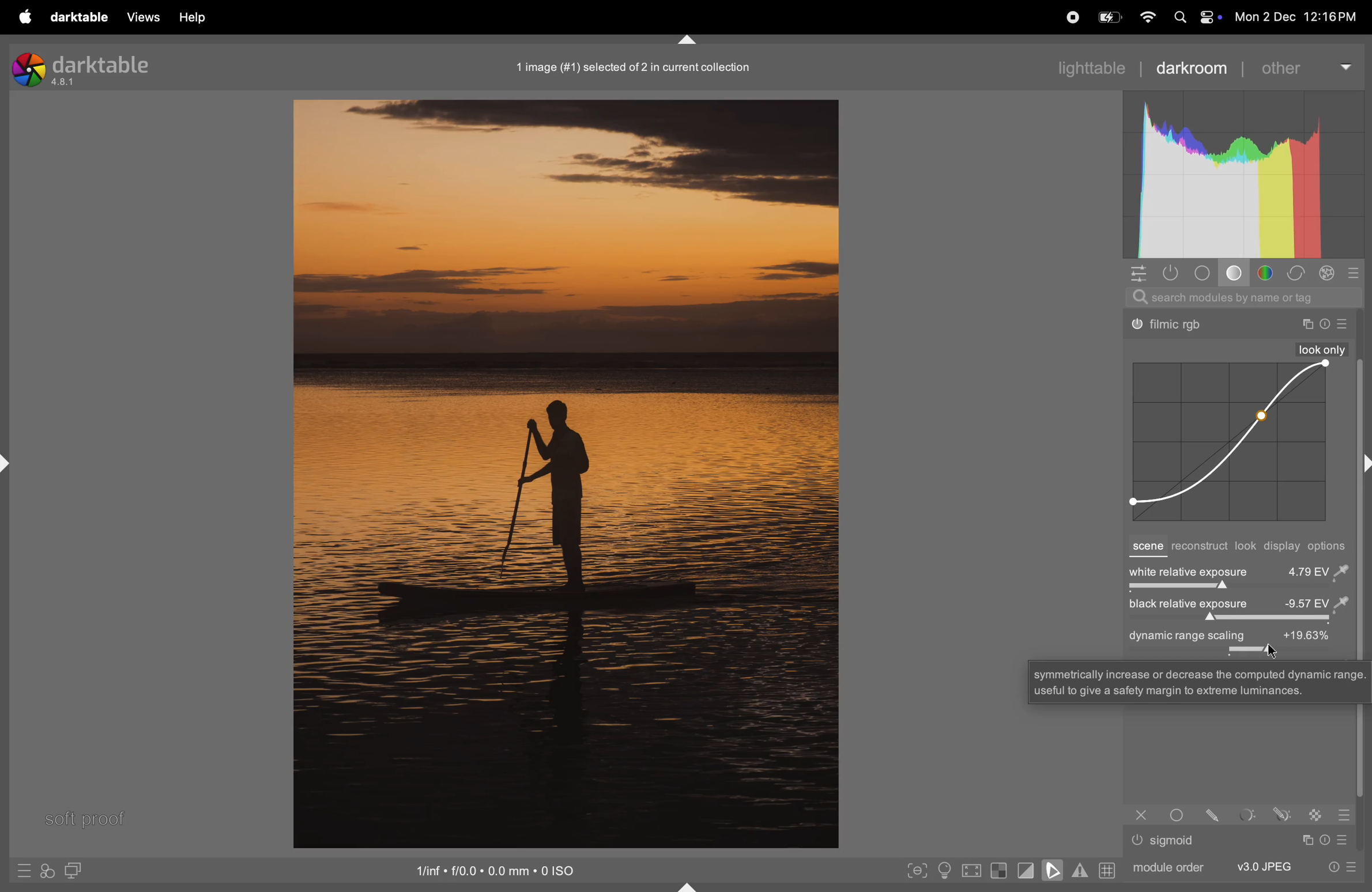 The image size is (1372, 892). What do you see at coordinates (191, 18) in the screenshot?
I see `help` at bounding box center [191, 18].